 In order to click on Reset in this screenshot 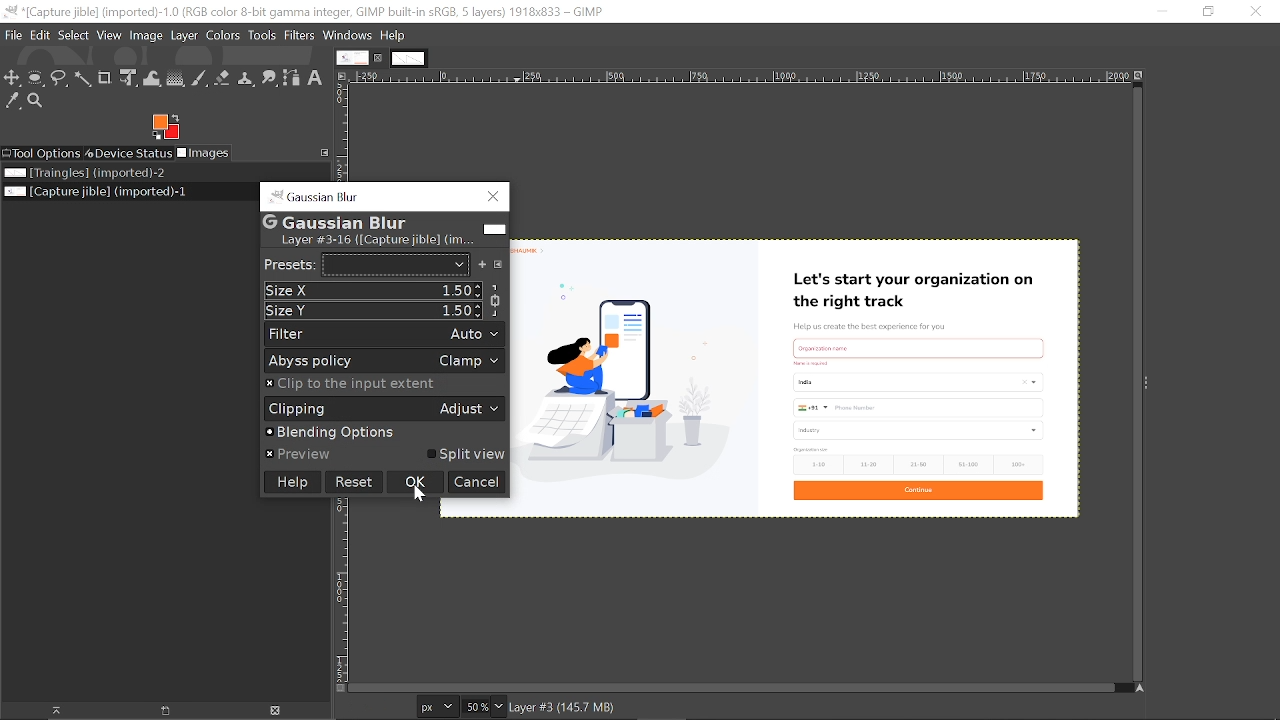, I will do `click(352, 482)`.